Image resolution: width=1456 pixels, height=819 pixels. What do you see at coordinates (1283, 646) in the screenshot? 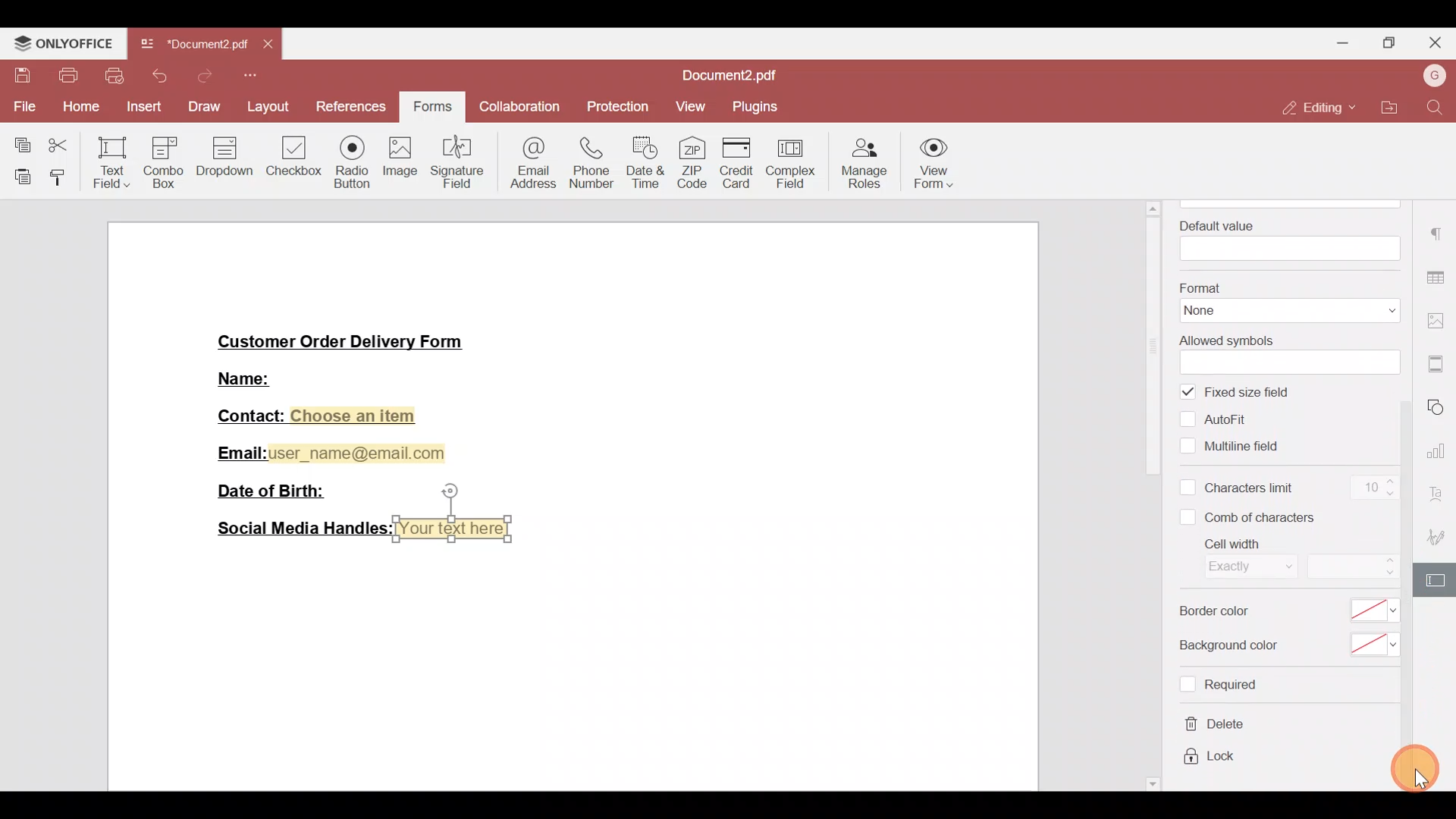
I see `Background color` at bounding box center [1283, 646].